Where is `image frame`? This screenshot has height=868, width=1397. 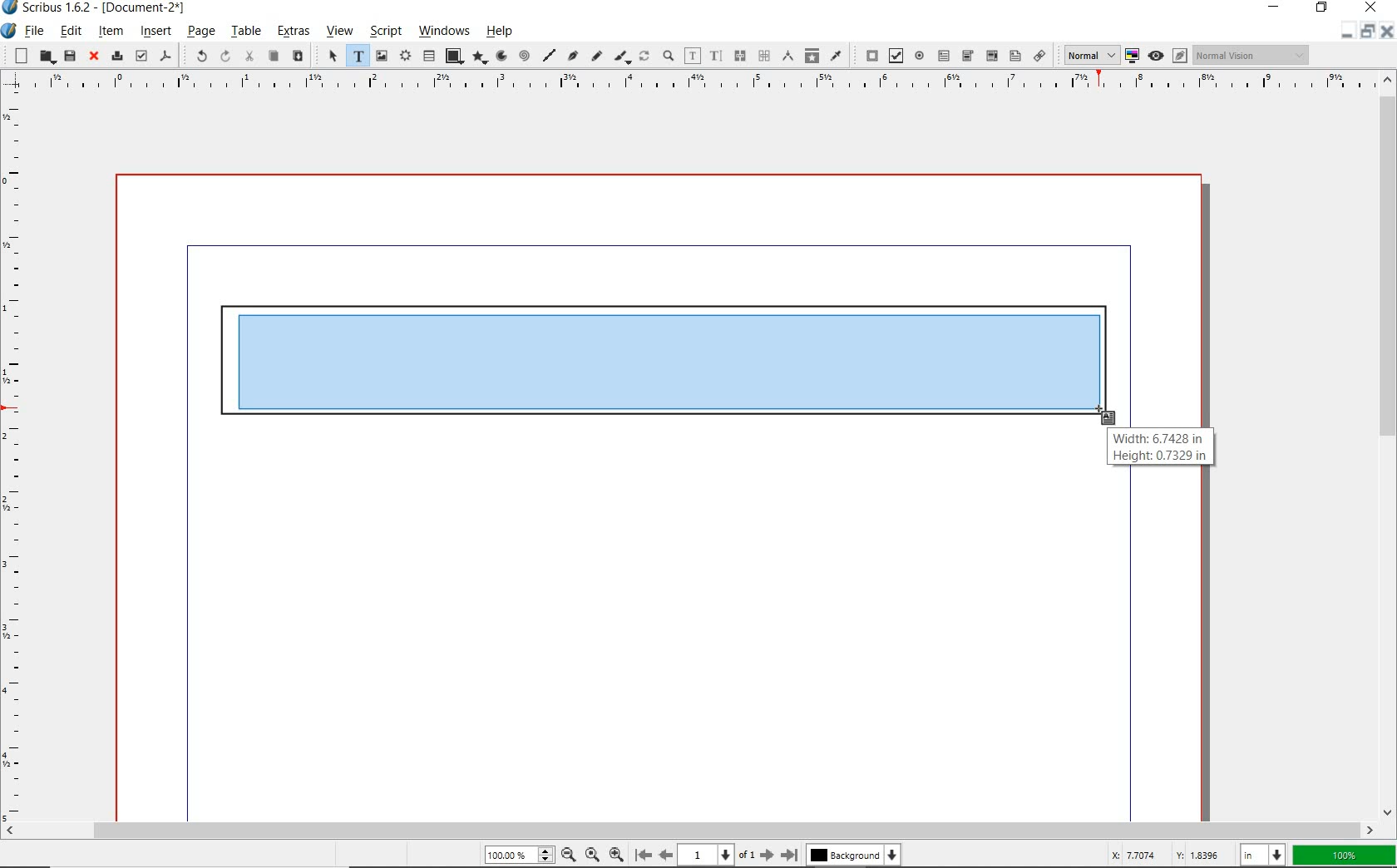
image frame is located at coordinates (381, 56).